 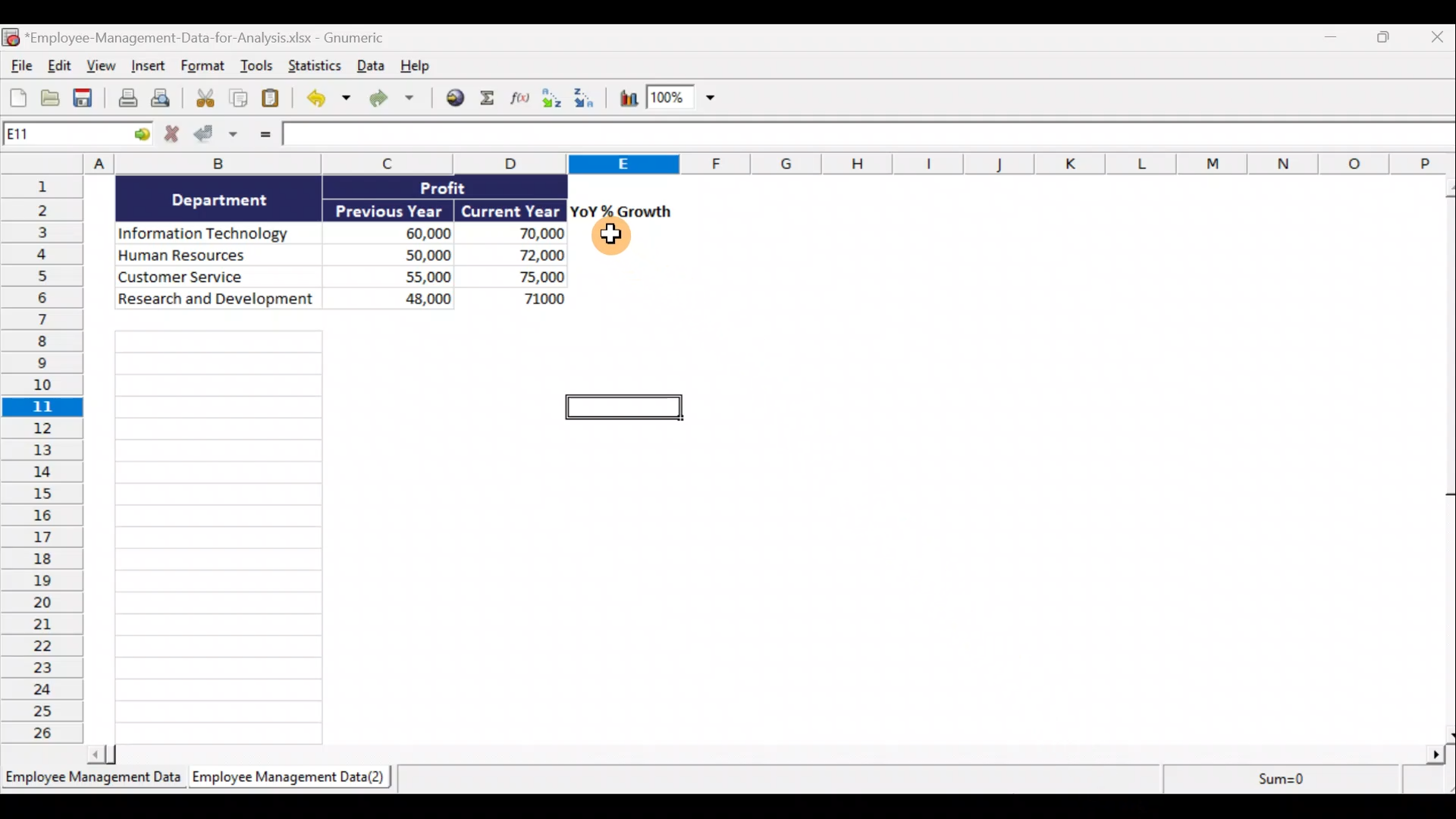 What do you see at coordinates (338, 242) in the screenshot?
I see `Data` at bounding box center [338, 242].